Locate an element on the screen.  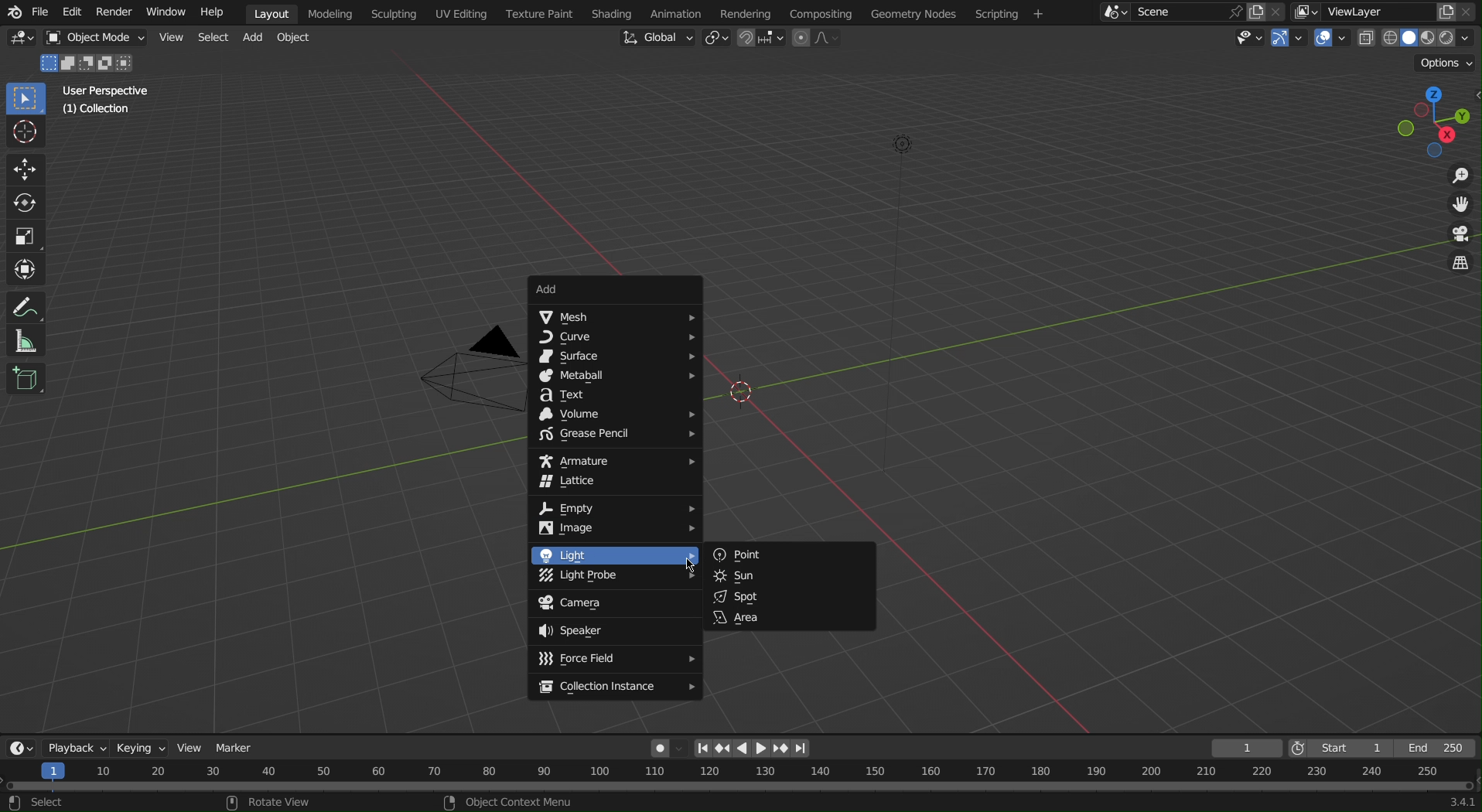
Animation is located at coordinates (674, 12).